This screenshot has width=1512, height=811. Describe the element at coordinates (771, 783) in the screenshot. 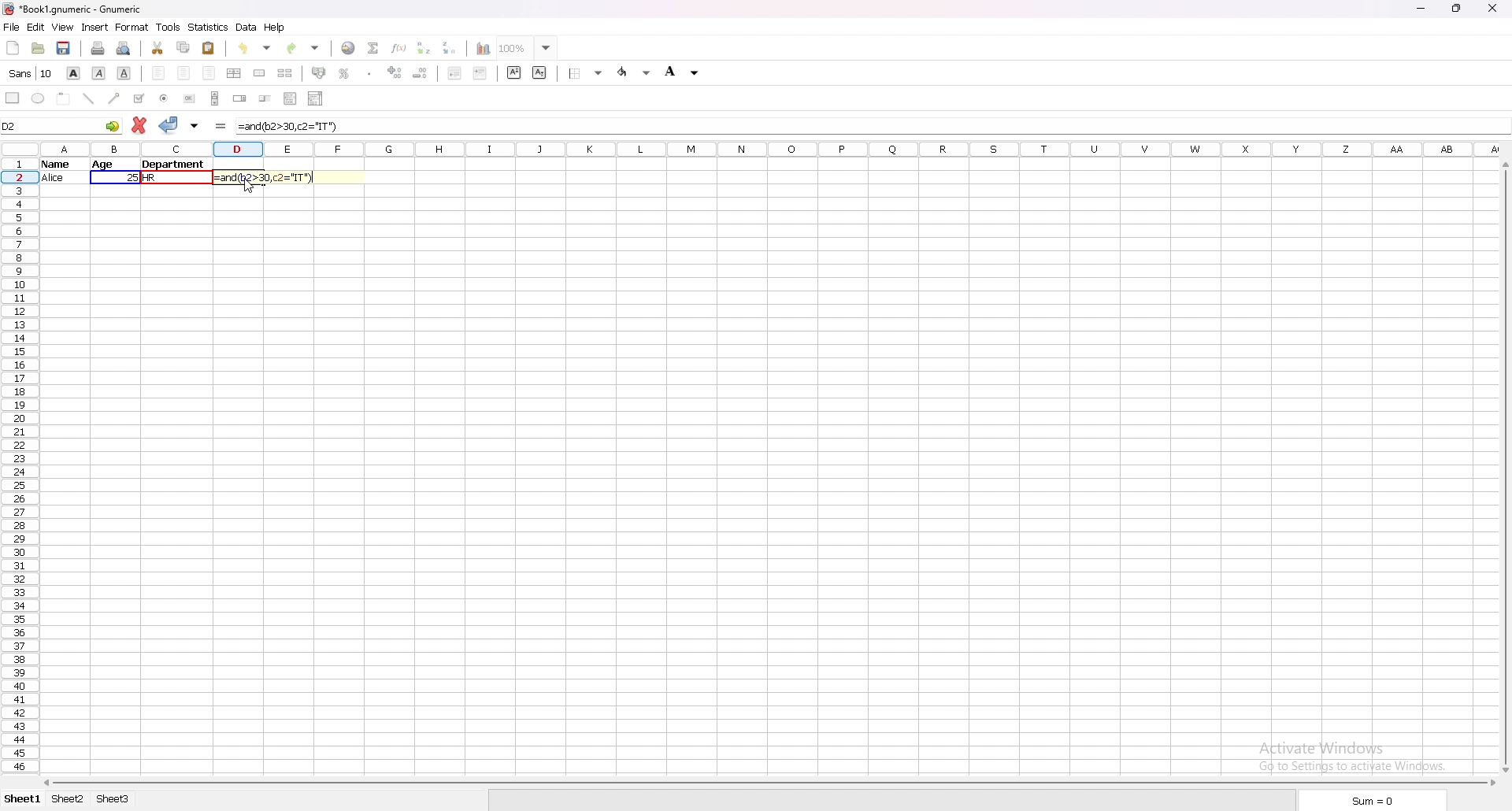

I see `scroll bar` at that location.